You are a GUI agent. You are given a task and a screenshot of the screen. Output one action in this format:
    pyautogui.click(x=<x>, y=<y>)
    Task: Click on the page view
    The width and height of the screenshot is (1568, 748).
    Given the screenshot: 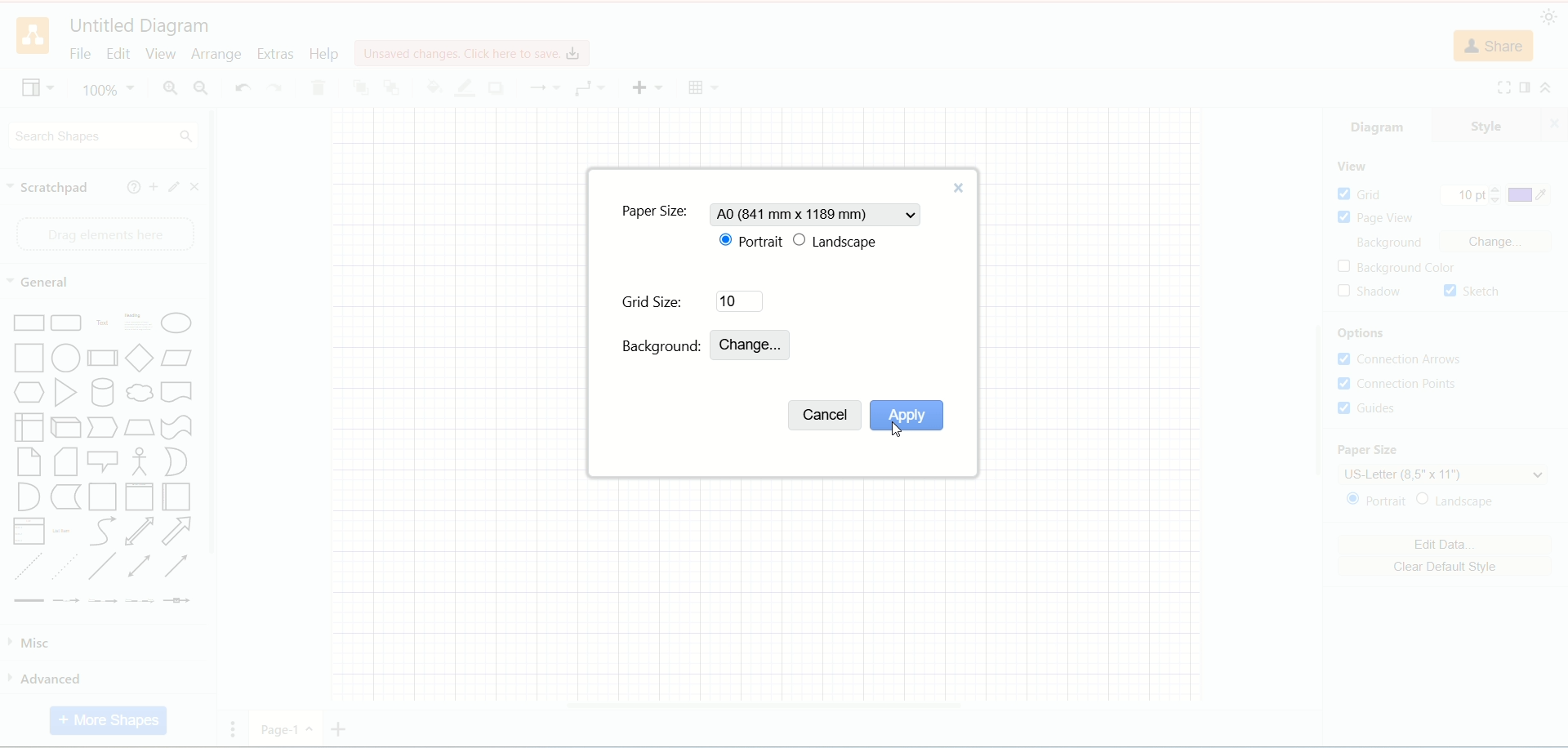 What is the action you would take?
    pyautogui.click(x=1380, y=218)
    